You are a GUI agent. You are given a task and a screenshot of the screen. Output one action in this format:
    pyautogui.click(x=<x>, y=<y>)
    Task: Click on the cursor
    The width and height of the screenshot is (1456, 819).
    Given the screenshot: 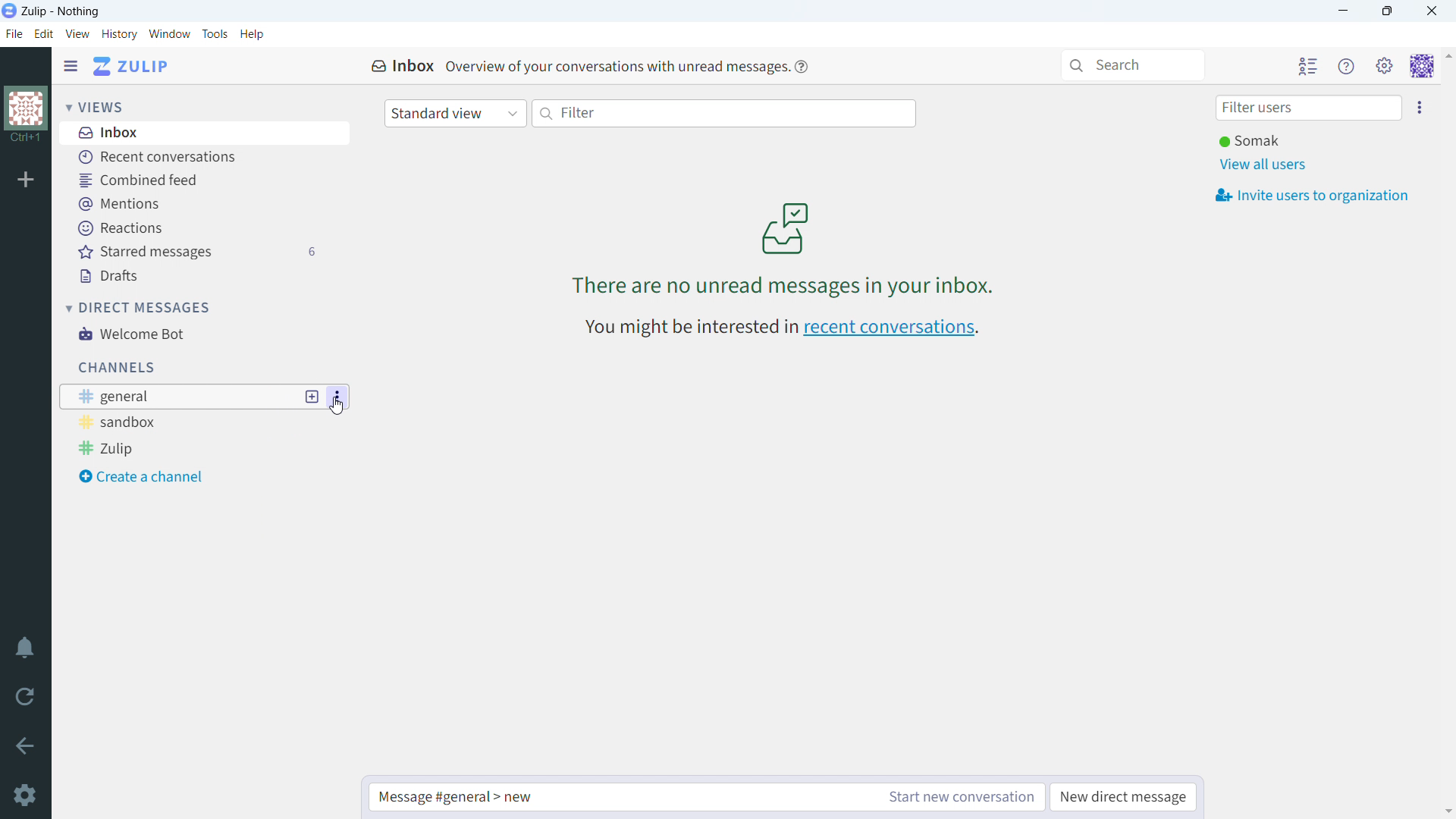 What is the action you would take?
    pyautogui.click(x=337, y=407)
    